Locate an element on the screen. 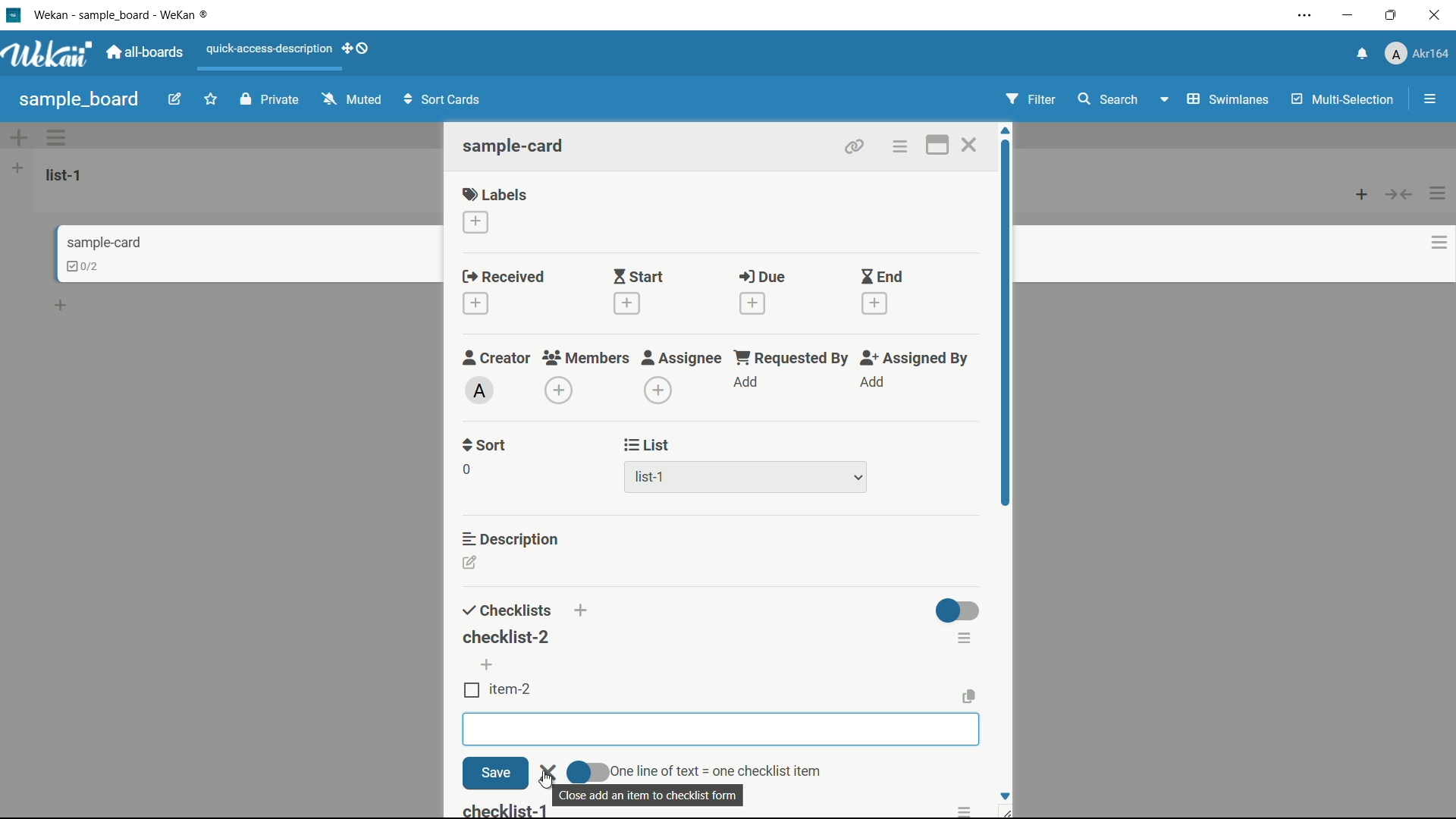 Image resolution: width=1456 pixels, height=819 pixels. save is located at coordinates (494, 773).